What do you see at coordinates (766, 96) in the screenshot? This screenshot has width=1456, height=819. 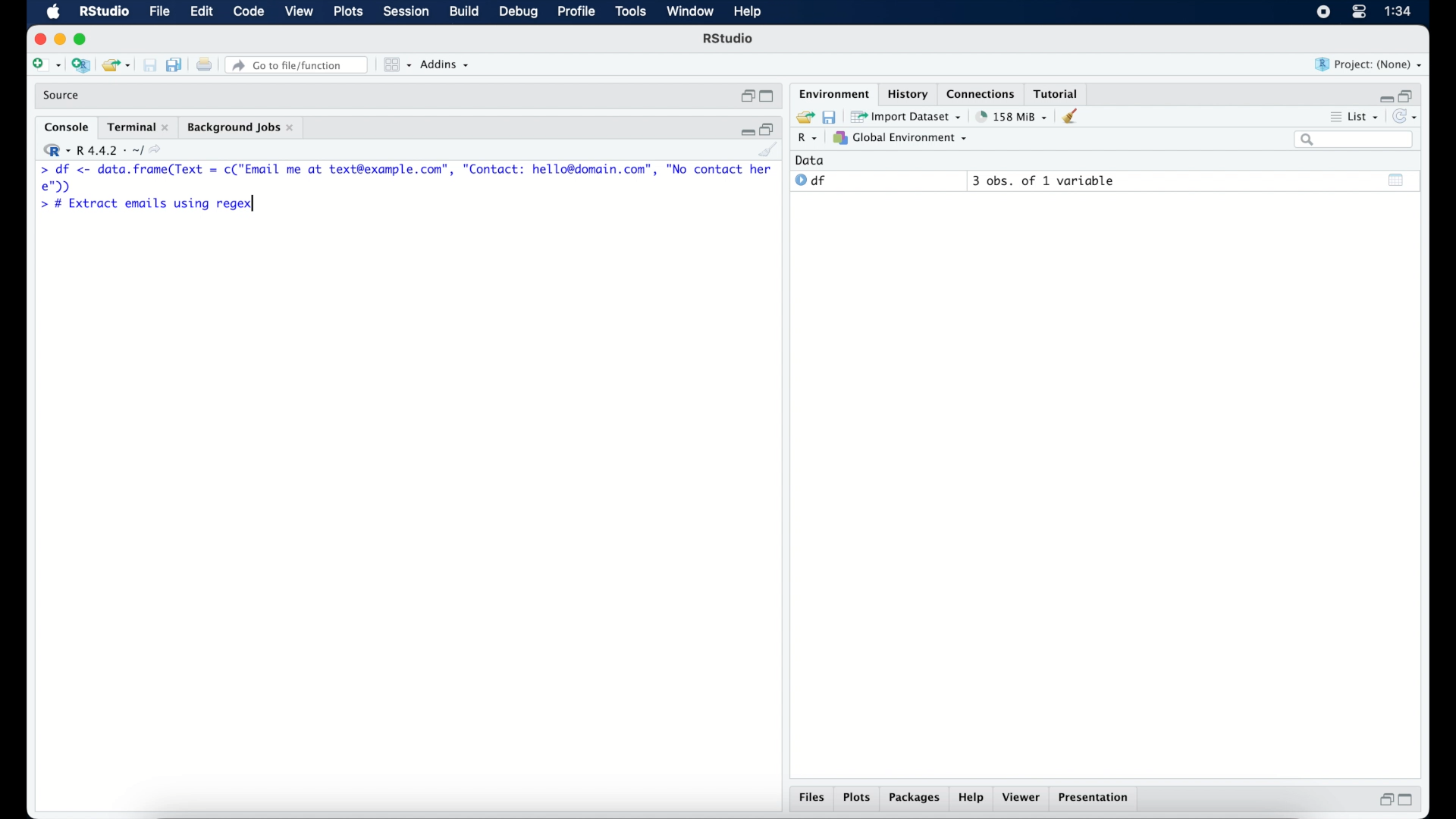 I see `maximize` at bounding box center [766, 96].